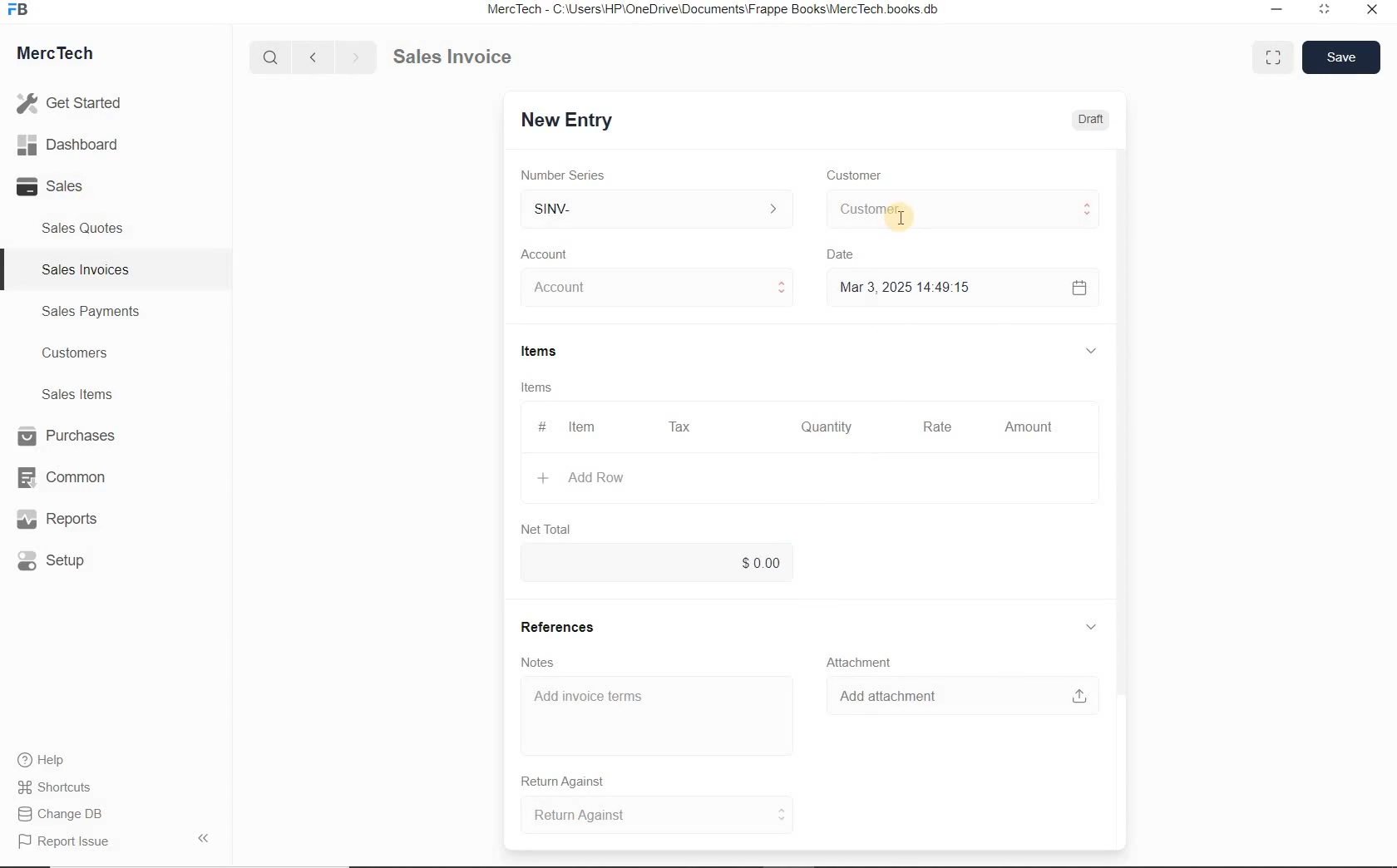  Describe the element at coordinates (62, 788) in the screenshot. I see `Shortcuts` at that location.